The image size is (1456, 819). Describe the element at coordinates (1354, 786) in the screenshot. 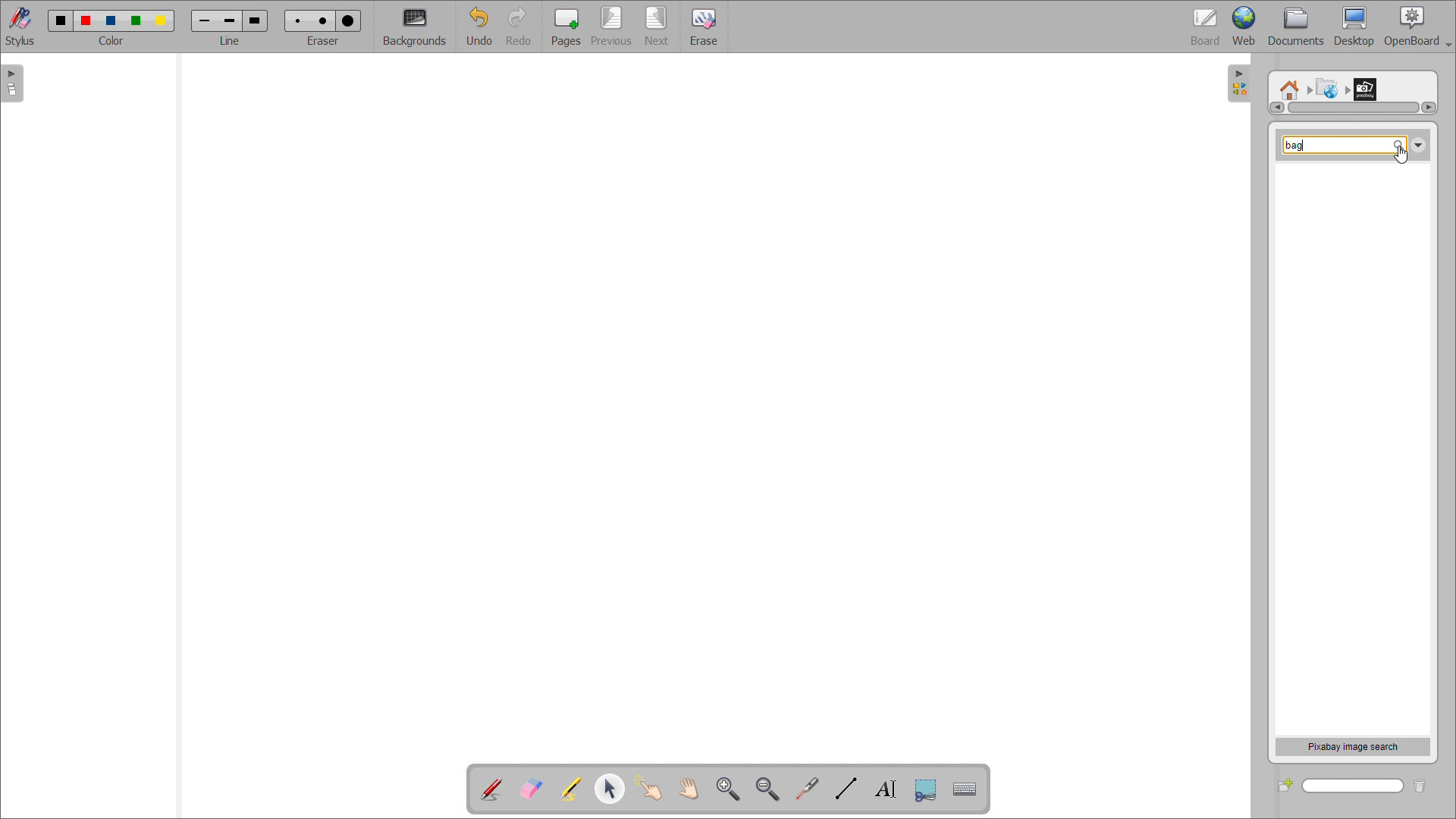

I see `search` at that location.